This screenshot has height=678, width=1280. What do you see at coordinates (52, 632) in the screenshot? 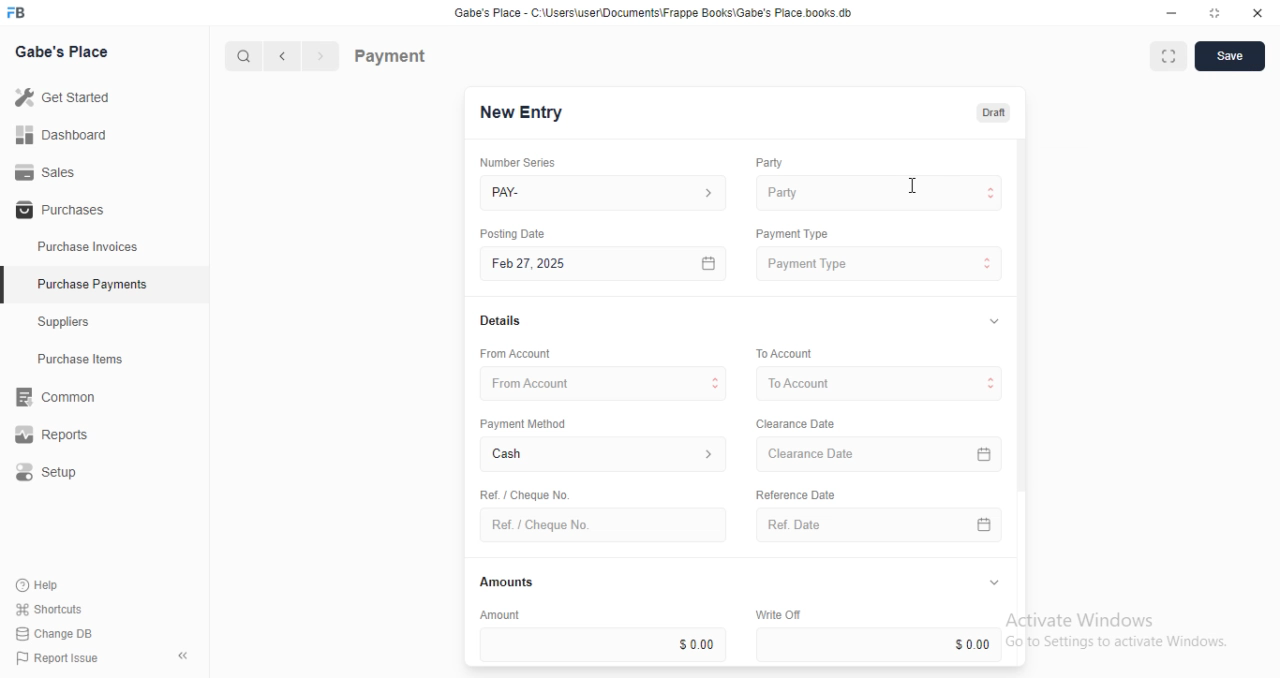
I see `Change DB` at bounding box center [52, 632].